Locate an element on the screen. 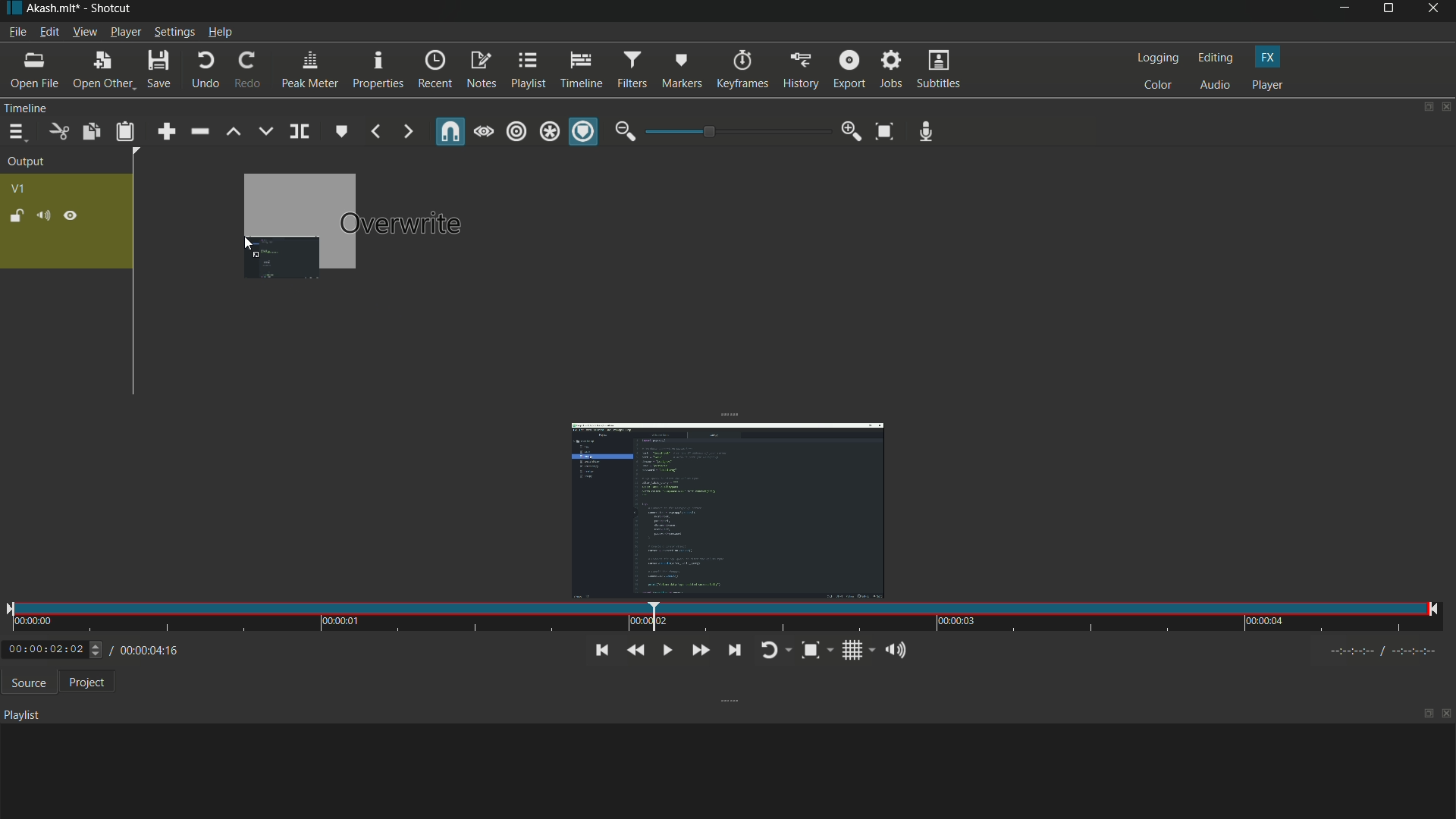 The height and width of the screenshot is (819, 1456). hide is located at coordinates (70, 216).